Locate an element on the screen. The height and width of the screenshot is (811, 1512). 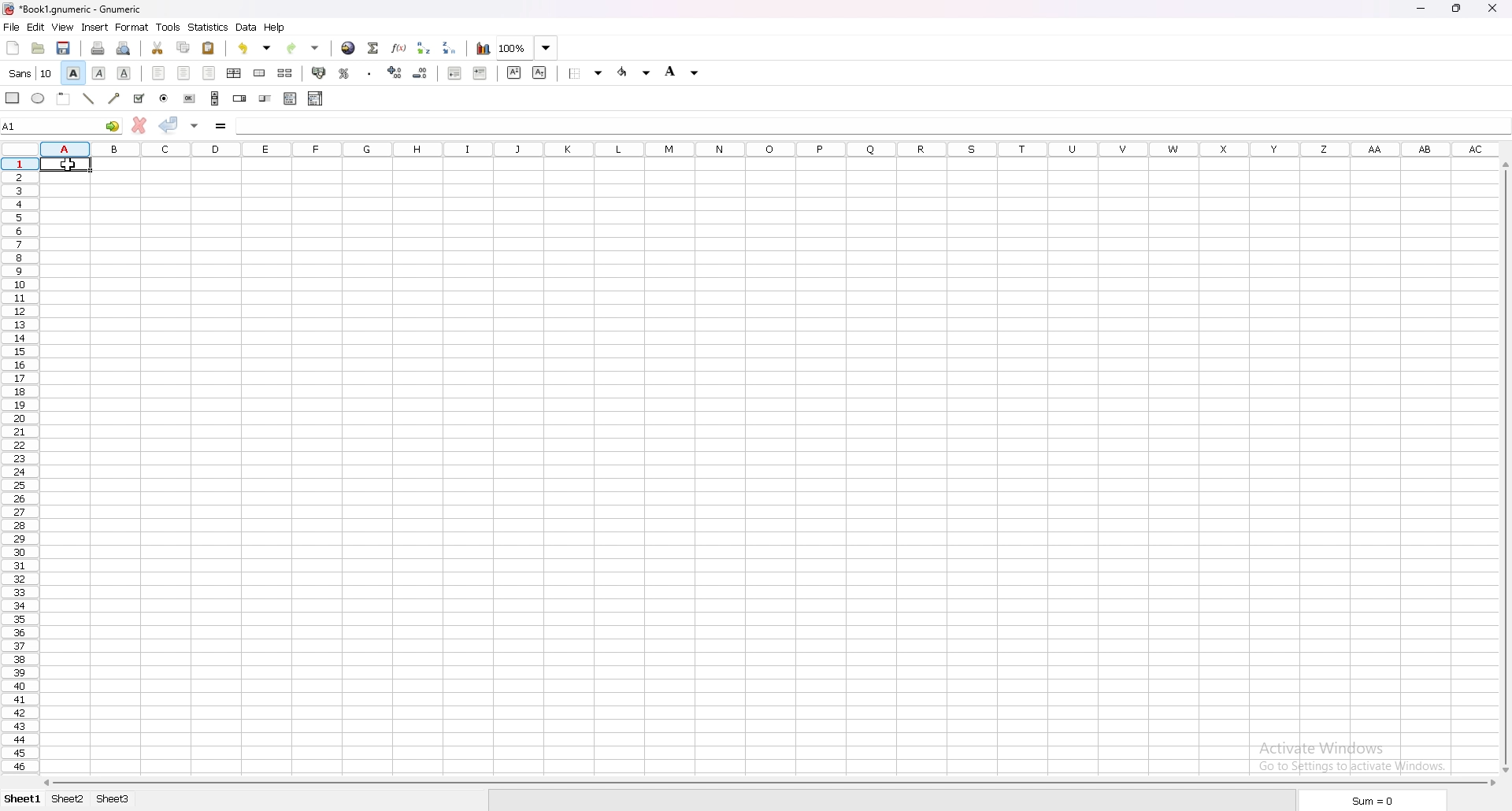
insert is located at coordinates (96, 27).